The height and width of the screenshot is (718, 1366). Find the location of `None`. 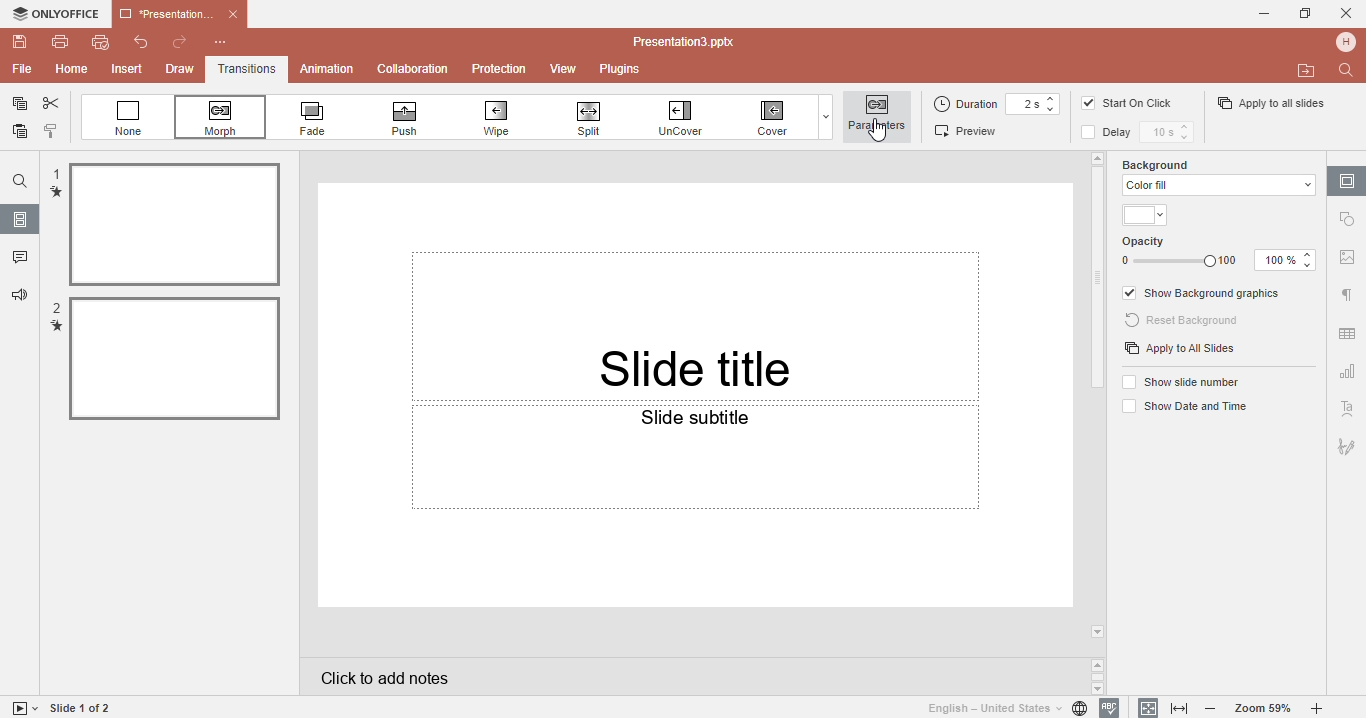

None is located at coordinates (129, 118).